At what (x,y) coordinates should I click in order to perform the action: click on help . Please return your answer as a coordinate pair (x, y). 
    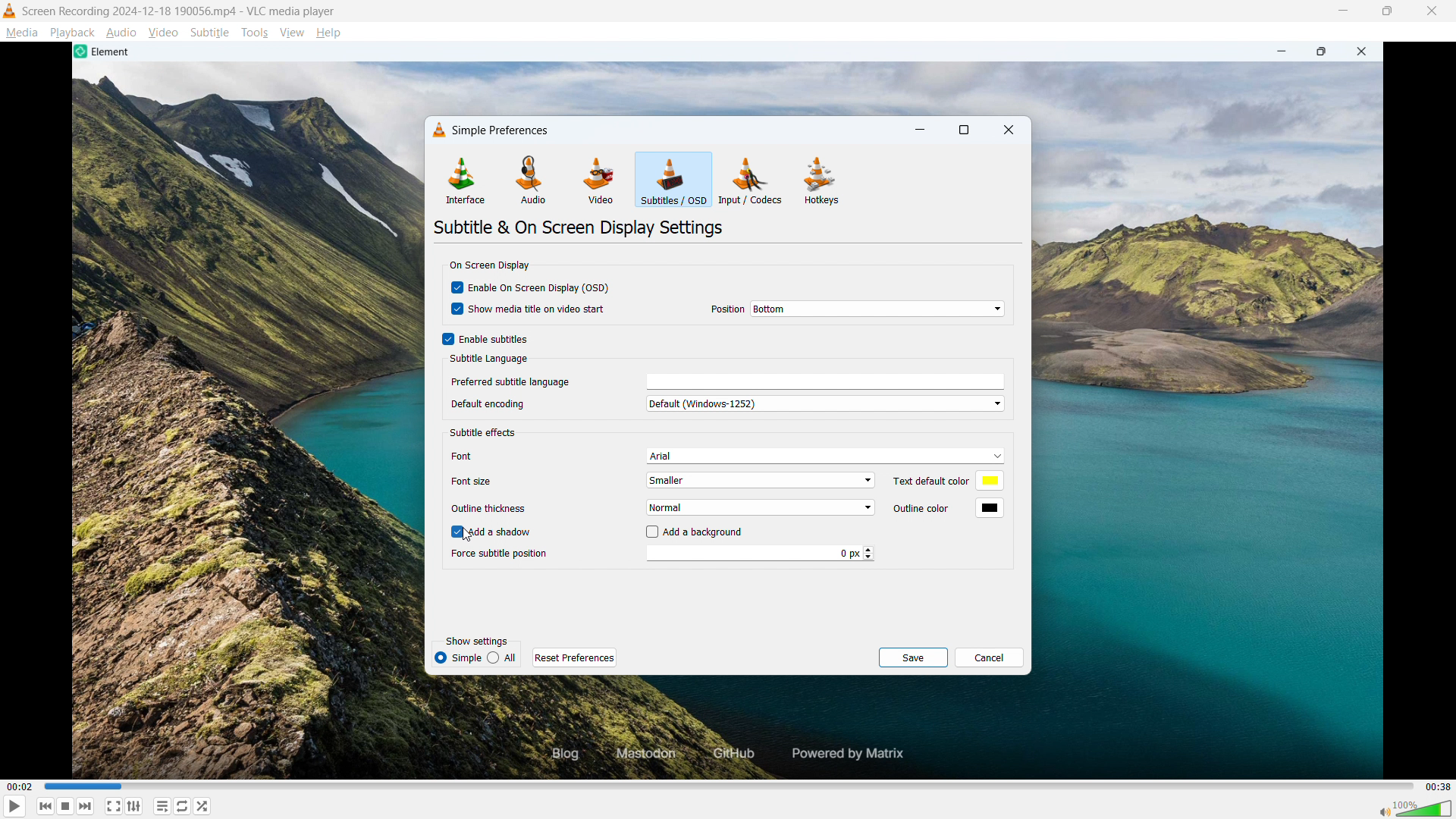
    Looking at the image, I should click on (329, 33).